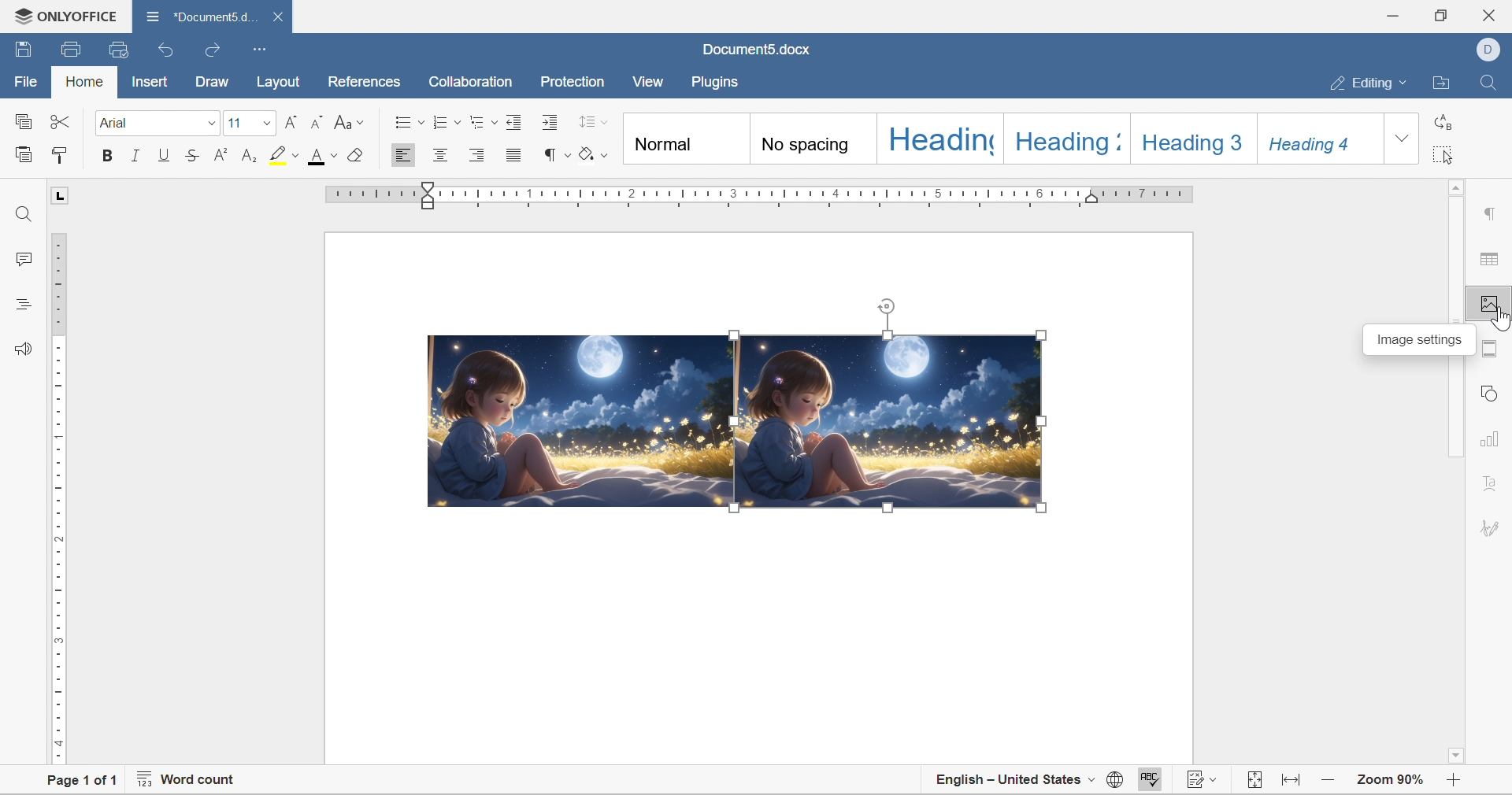 The width and height of the screenshot is (1512, 795). I want to click on word count, so click(188, 777).